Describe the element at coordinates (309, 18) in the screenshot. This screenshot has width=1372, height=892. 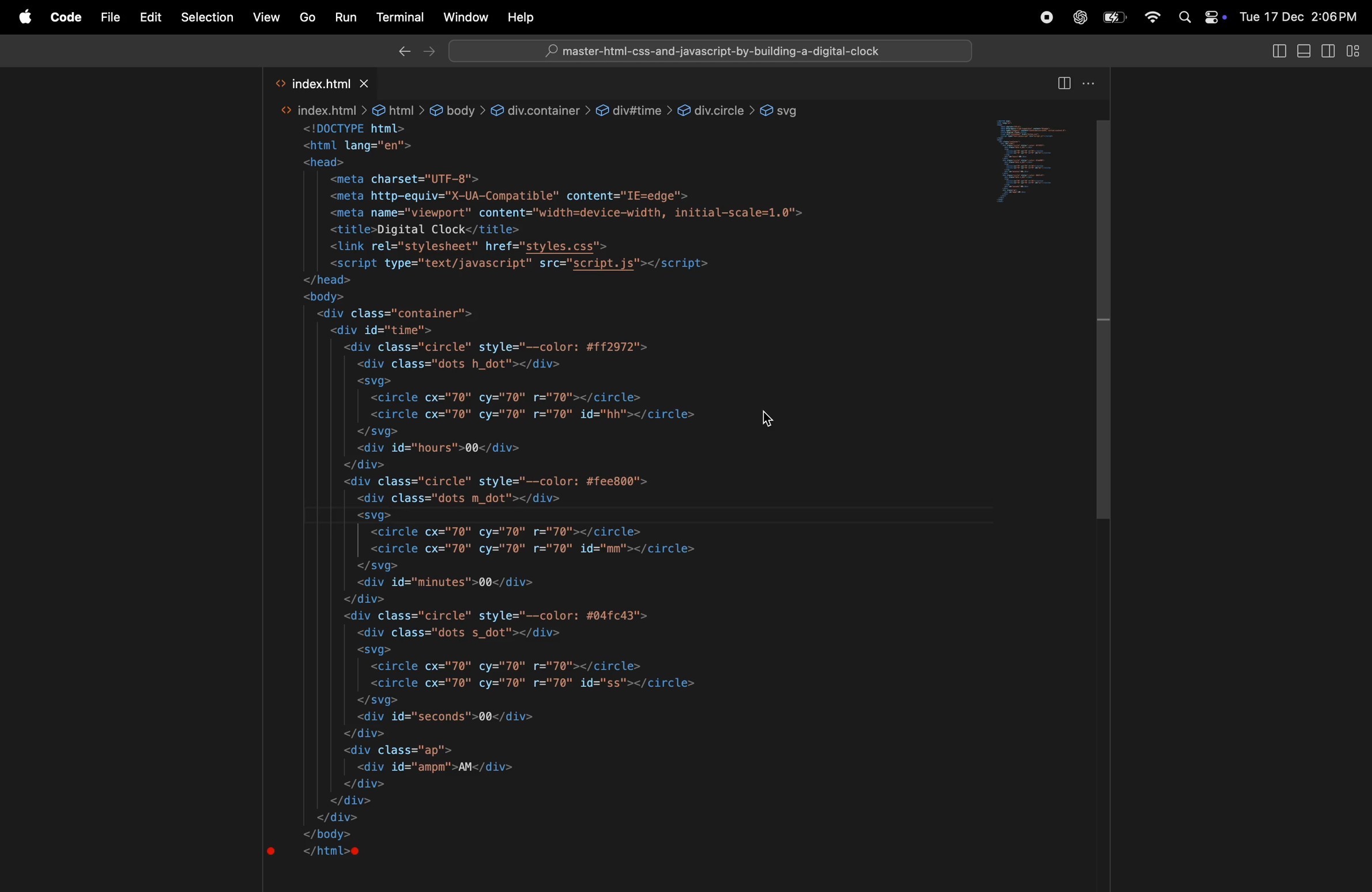
I see `Go` at that location.